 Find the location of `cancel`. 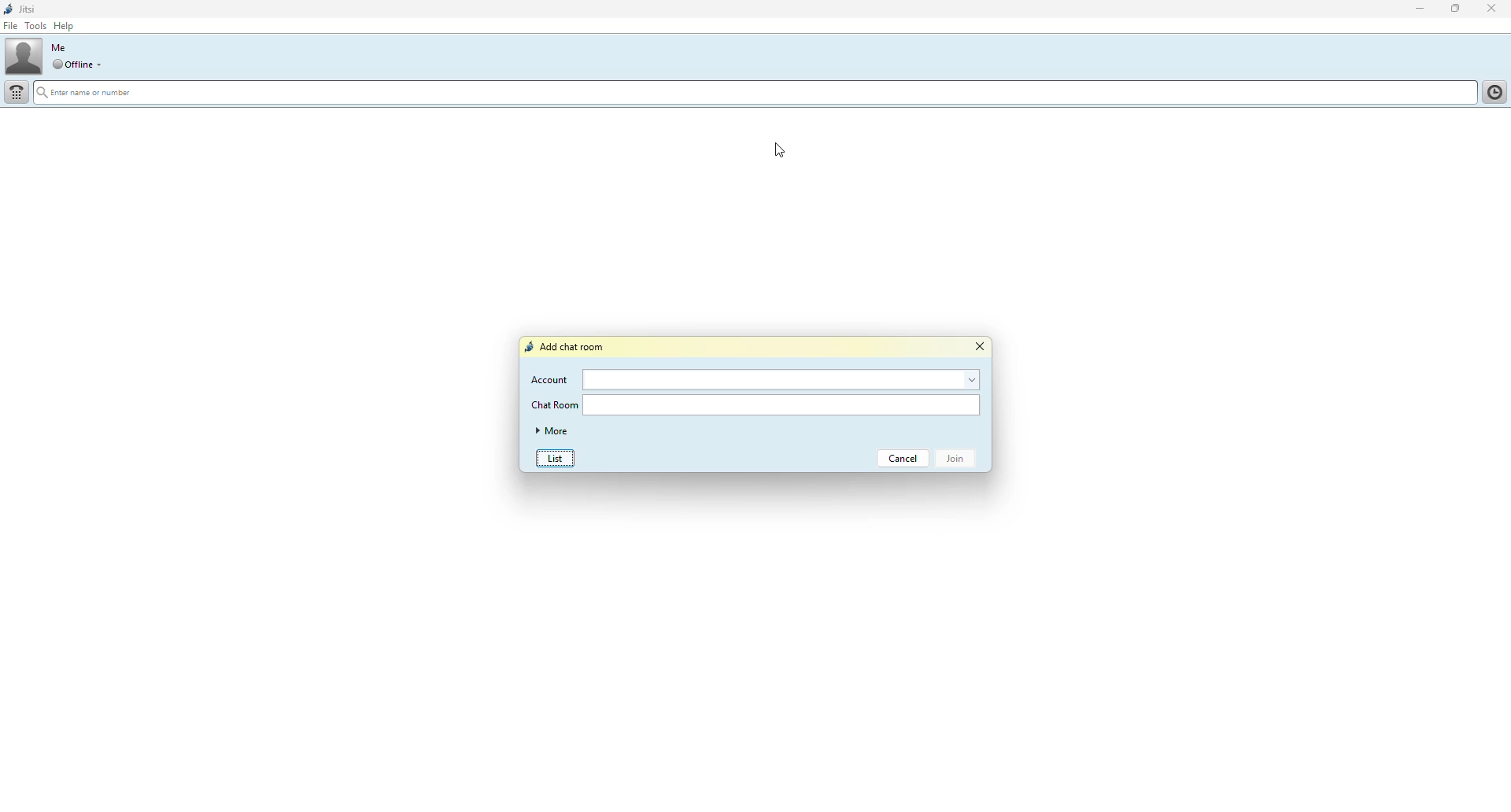

cancel is located at coordinates (905, 460).